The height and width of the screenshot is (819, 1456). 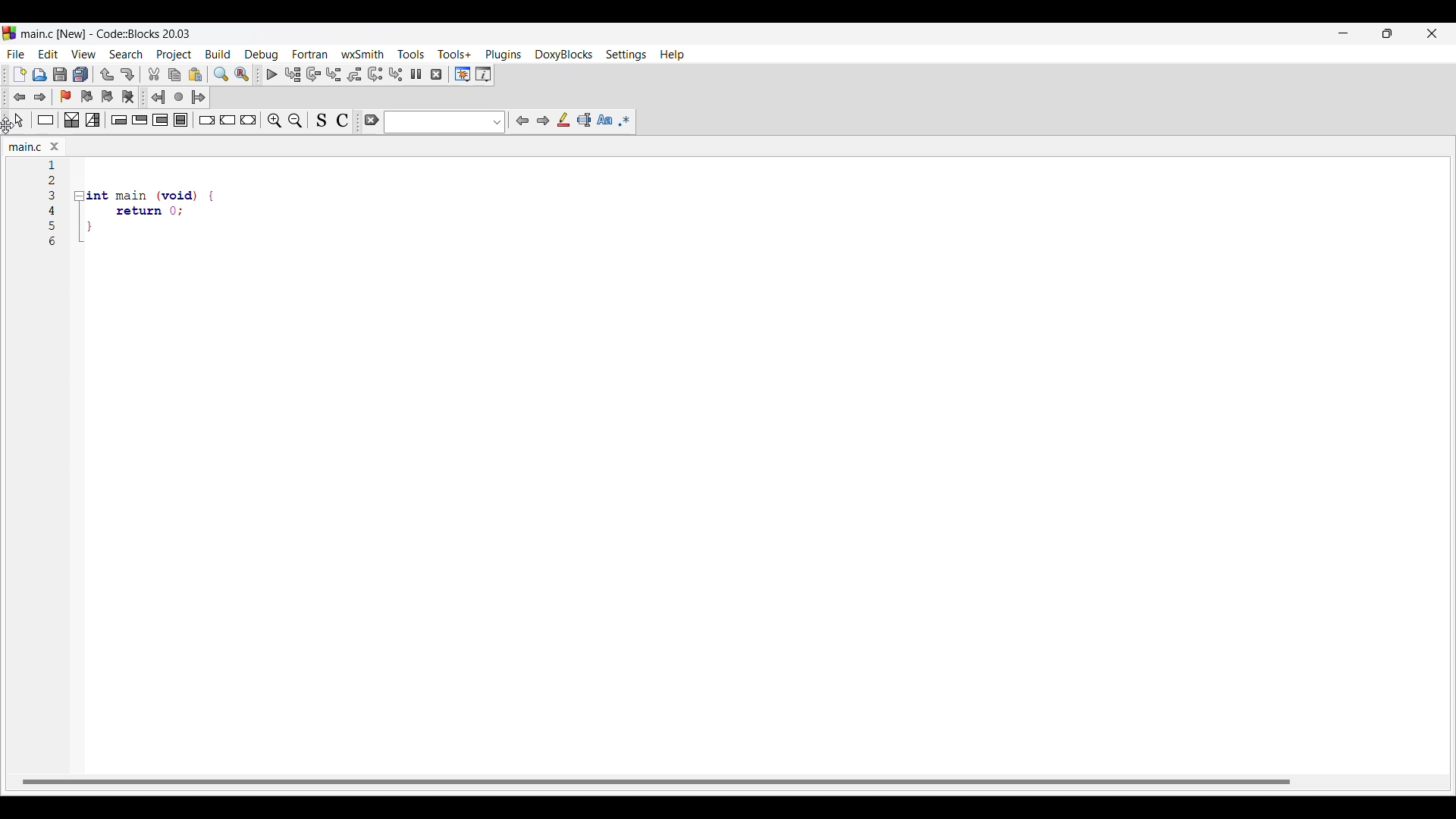 I want to click on Stop debugger, so click(x=436, y=74).